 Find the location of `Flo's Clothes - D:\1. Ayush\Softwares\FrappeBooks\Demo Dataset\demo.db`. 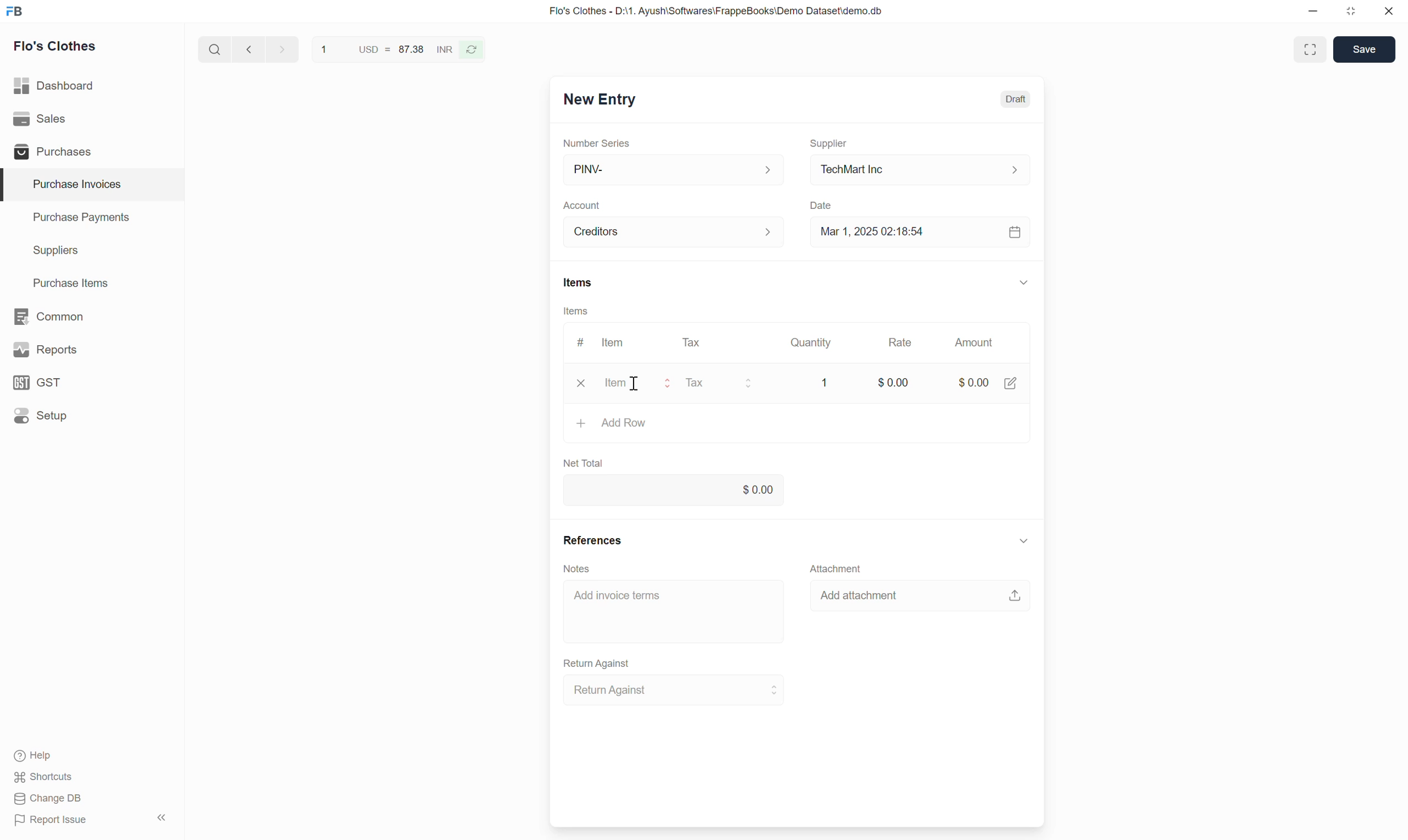

Flo's Clothes - D:\1. Ayush\Softwares\FrappeBooks\Demo Dataset\demo.db is located at coordinates (716, 10).